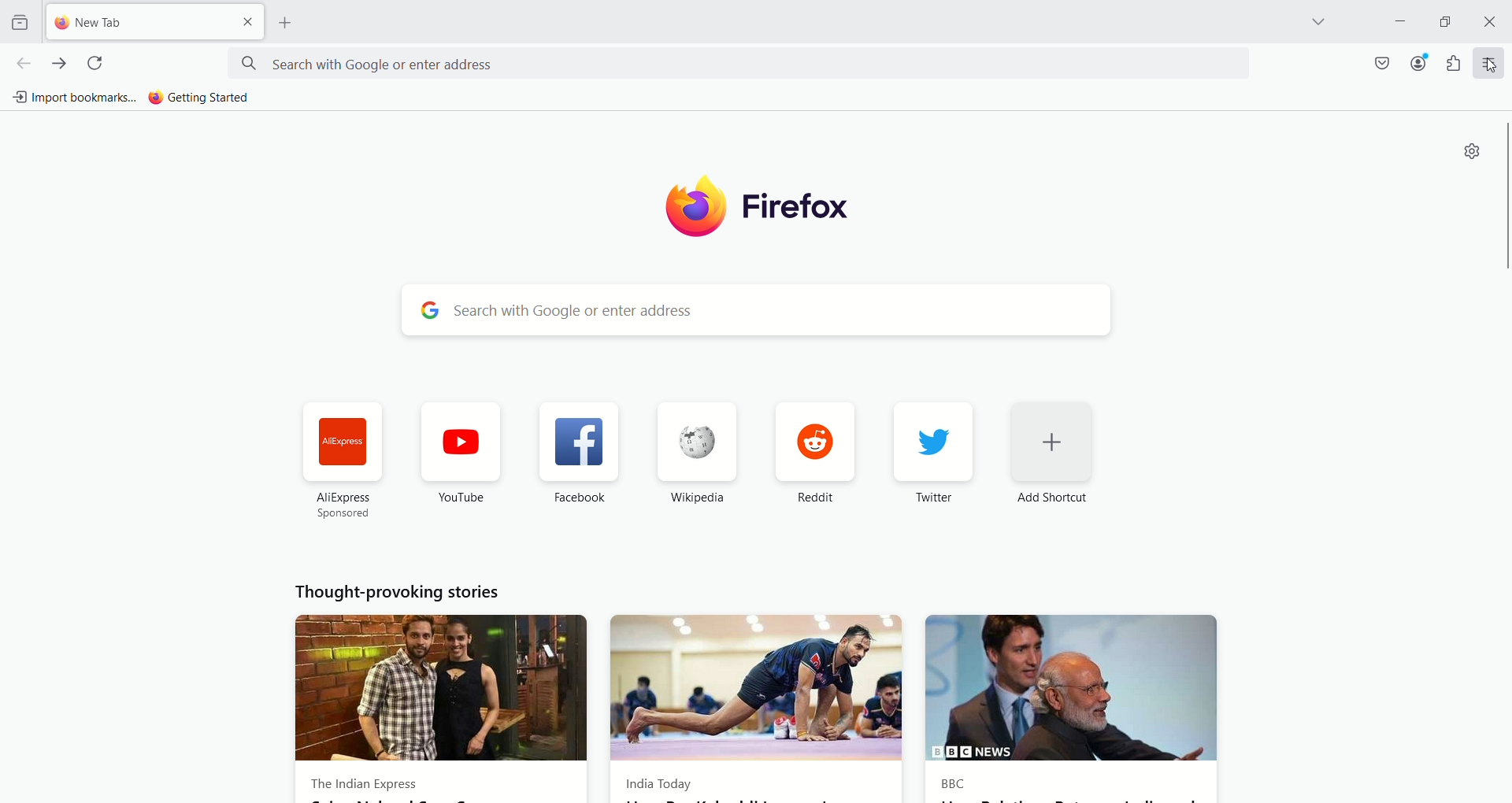 Image resolution: width=1512 pixels, height=803 pixels. What do you see at coordinates (754, 314) in the screenshot?
I see `search` at bounding box center [754, 314].